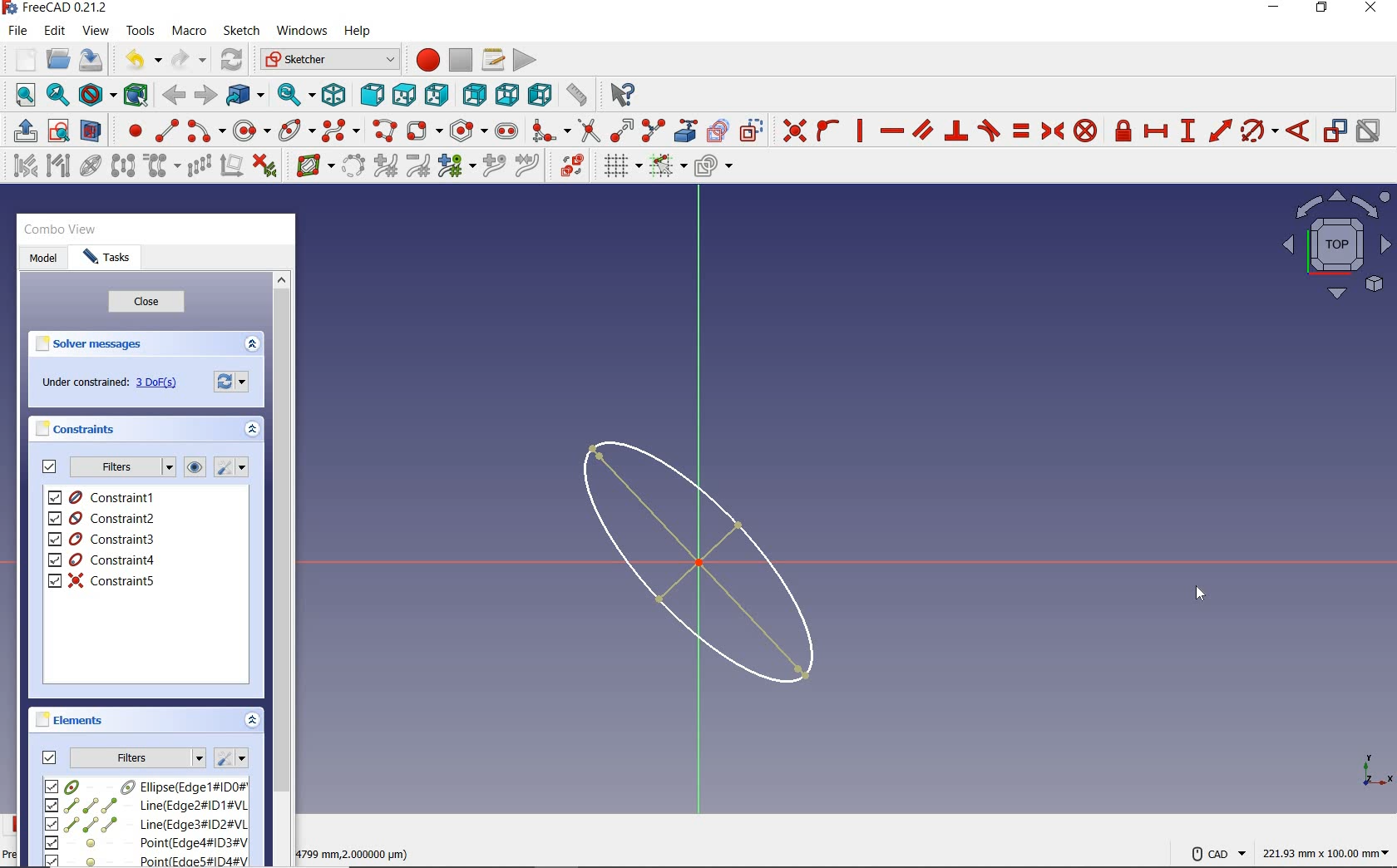 Image resolution: width=1397 pixels, height=868 pixels. What do you see at coordinates (90, 60) in the screenshot?
I see `save` at bounding box center [90, 60].